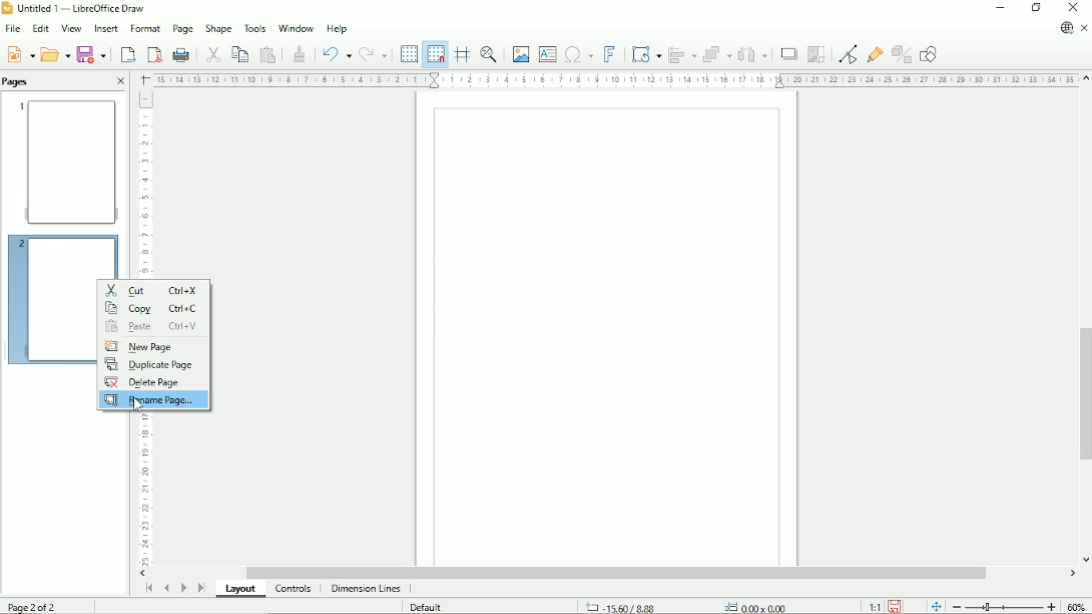 This screenshot has height=614, width=1092. What do you see at coordinates (239, 53) in the screenshot?
I see `Copy` at bounding box center [239, 53].